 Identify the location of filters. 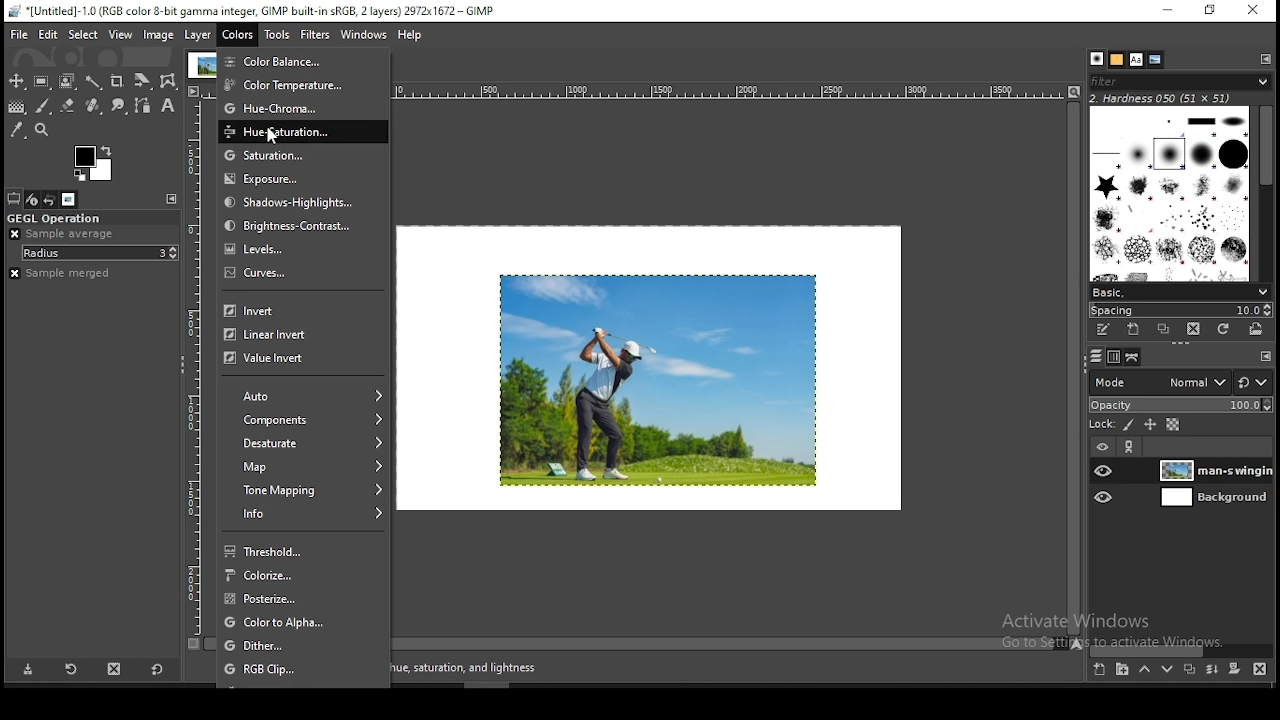
(314, 35).